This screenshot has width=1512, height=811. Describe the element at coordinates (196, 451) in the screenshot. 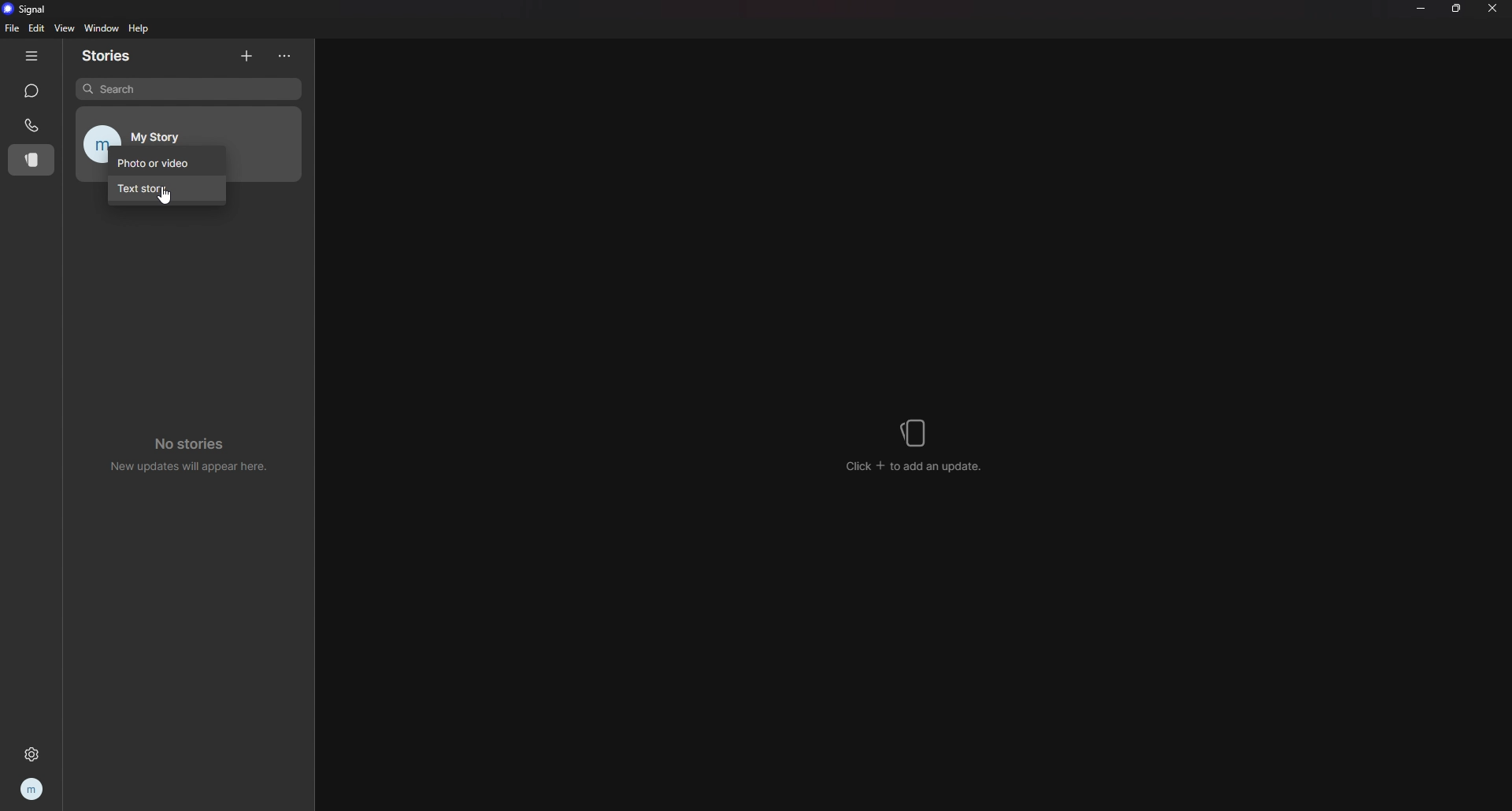

I see `no stories new updates will appear here` at that location.